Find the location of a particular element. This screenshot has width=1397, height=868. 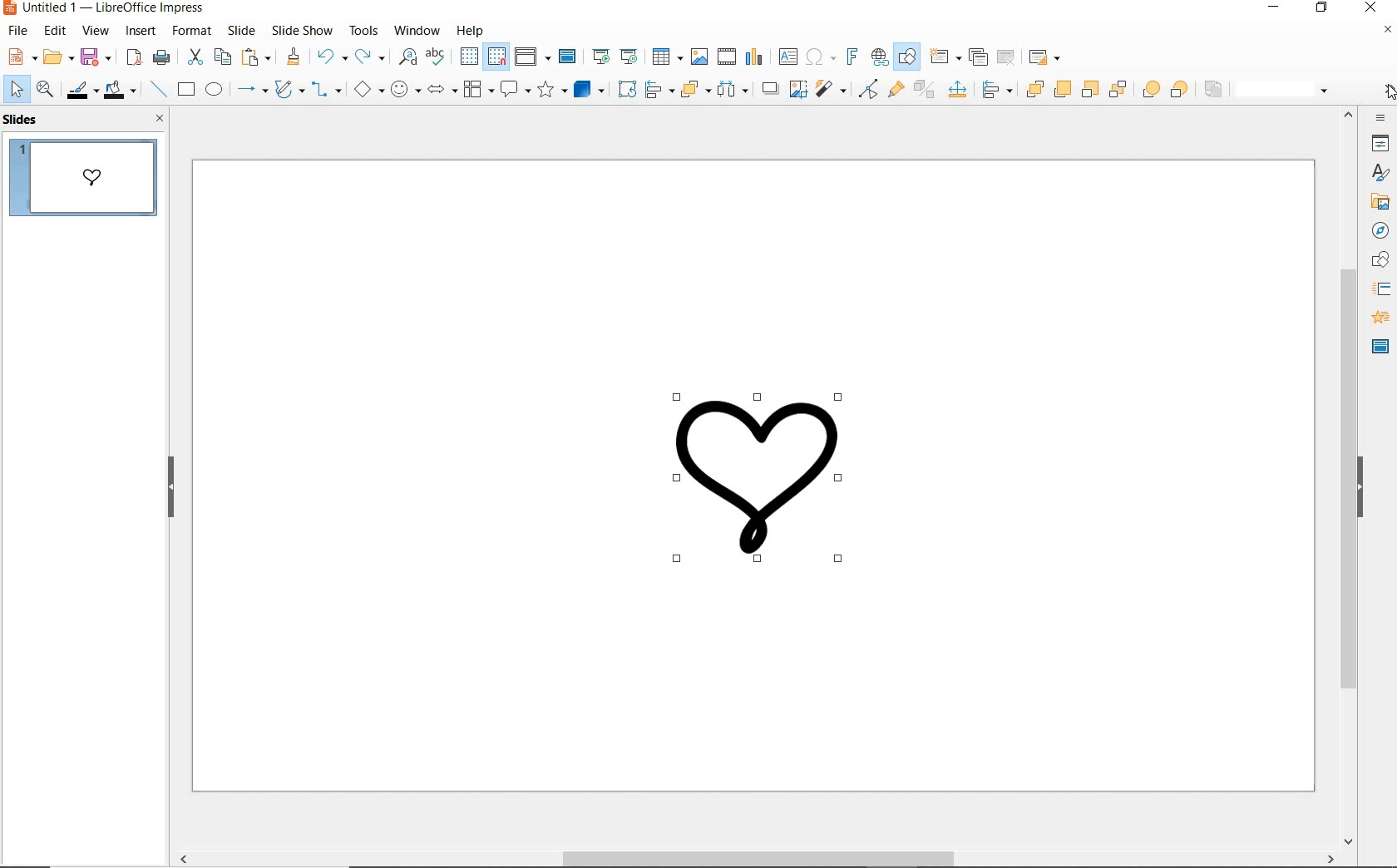

block arrows is located at coordinates (441, 89).